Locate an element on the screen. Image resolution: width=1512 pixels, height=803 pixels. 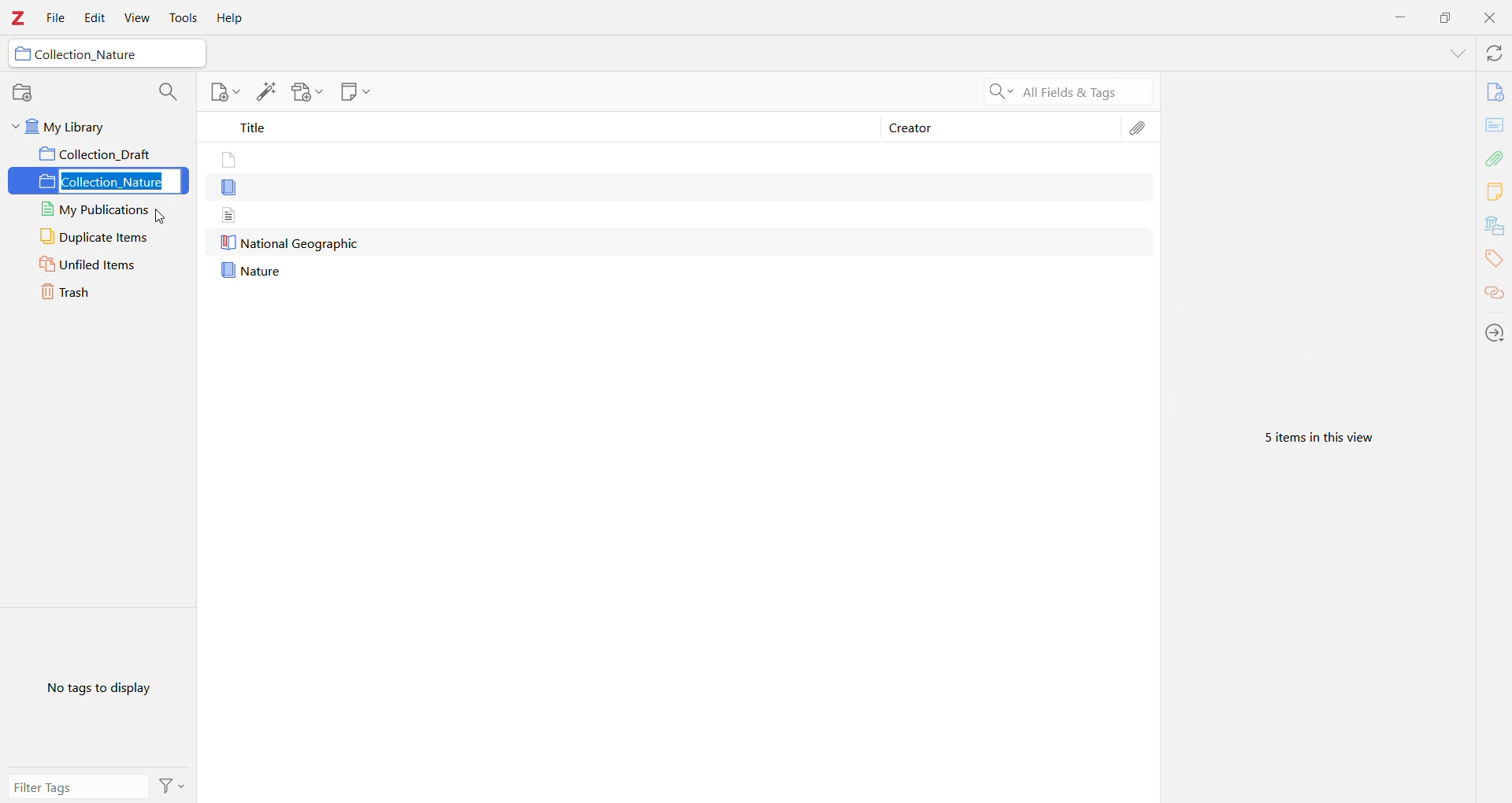
Collection_draft is located at coordinates (100, 154).